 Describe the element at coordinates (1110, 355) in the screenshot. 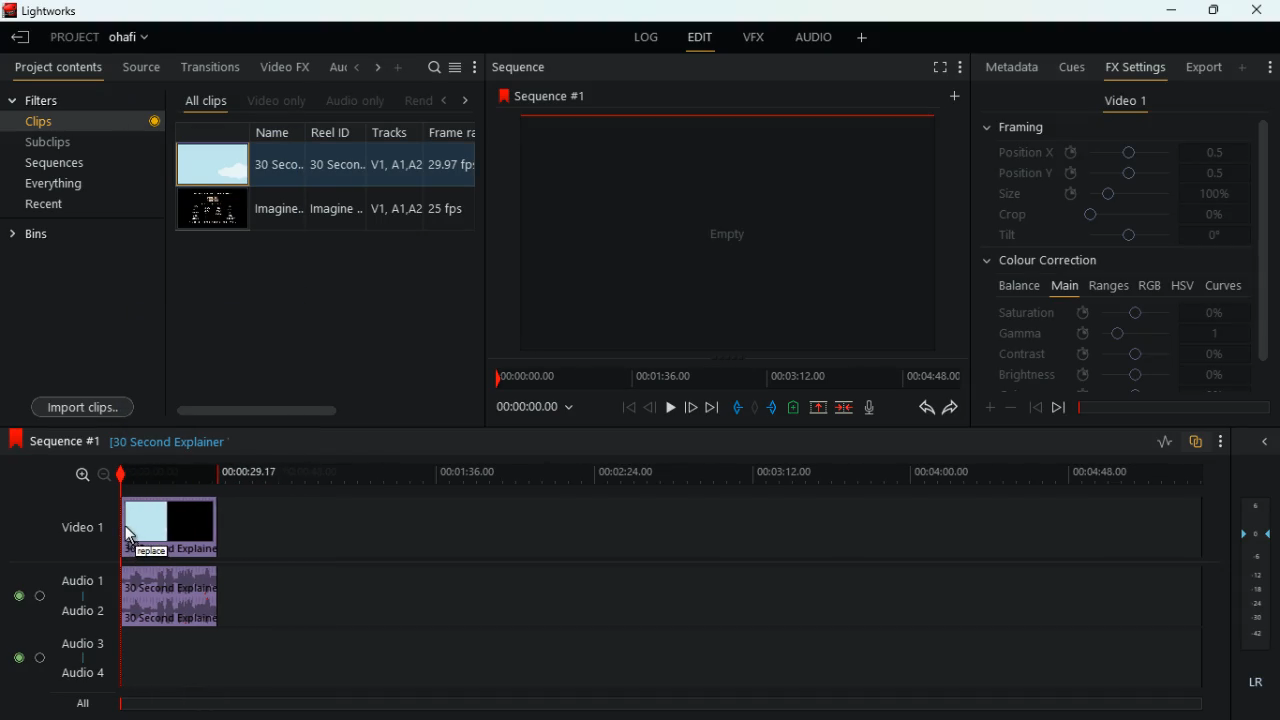

I see `contrast` at that location.